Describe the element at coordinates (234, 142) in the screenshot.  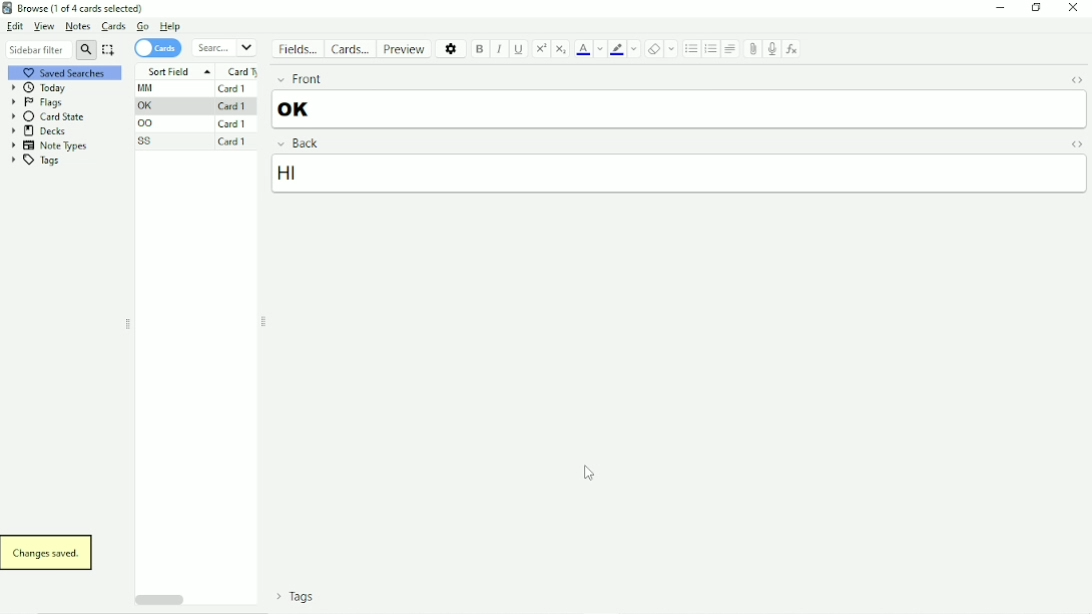
I see `Card 1` at that location.